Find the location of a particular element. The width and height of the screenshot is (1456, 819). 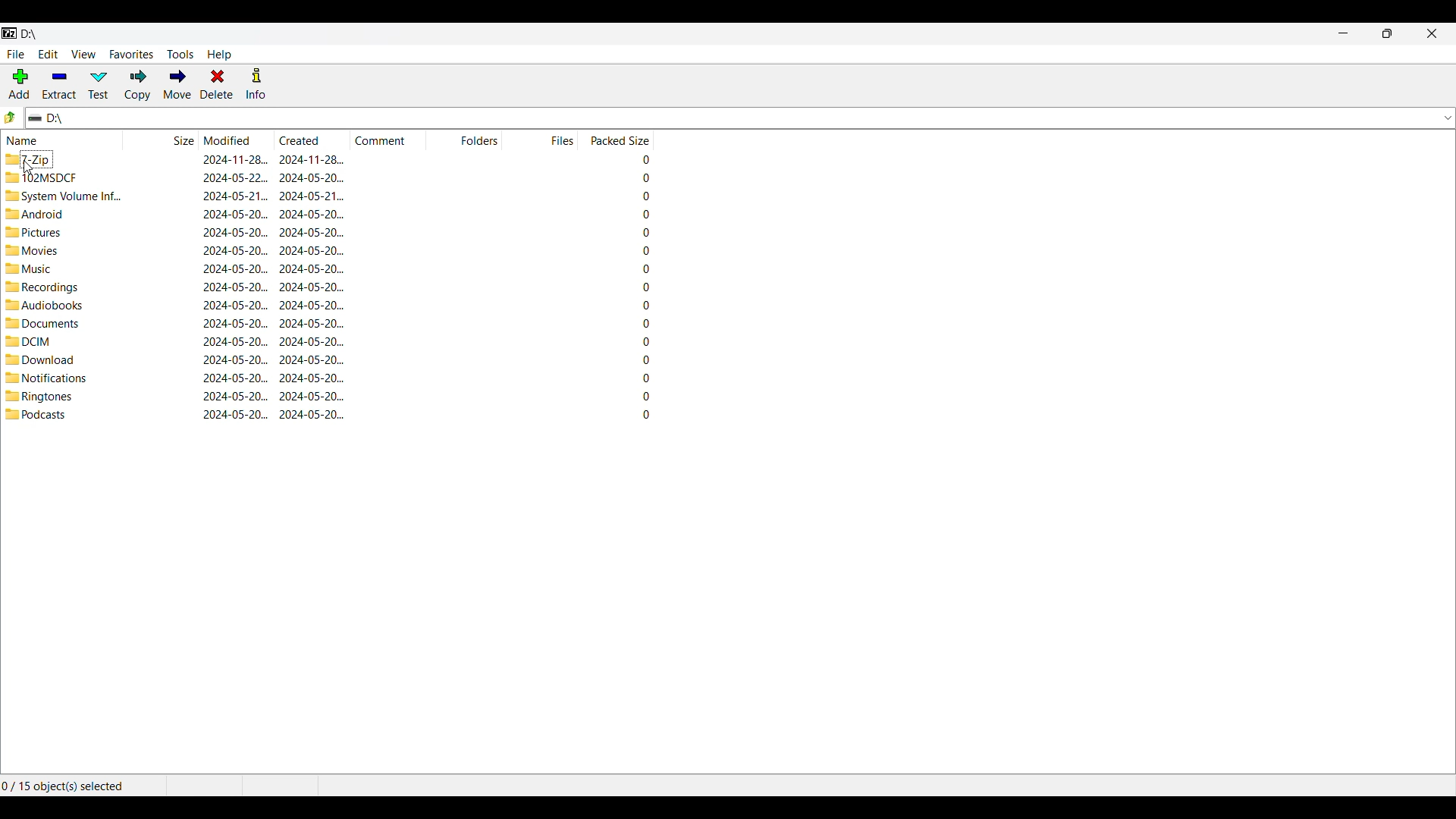

Favorites menu is located at coordinates (131, 55).